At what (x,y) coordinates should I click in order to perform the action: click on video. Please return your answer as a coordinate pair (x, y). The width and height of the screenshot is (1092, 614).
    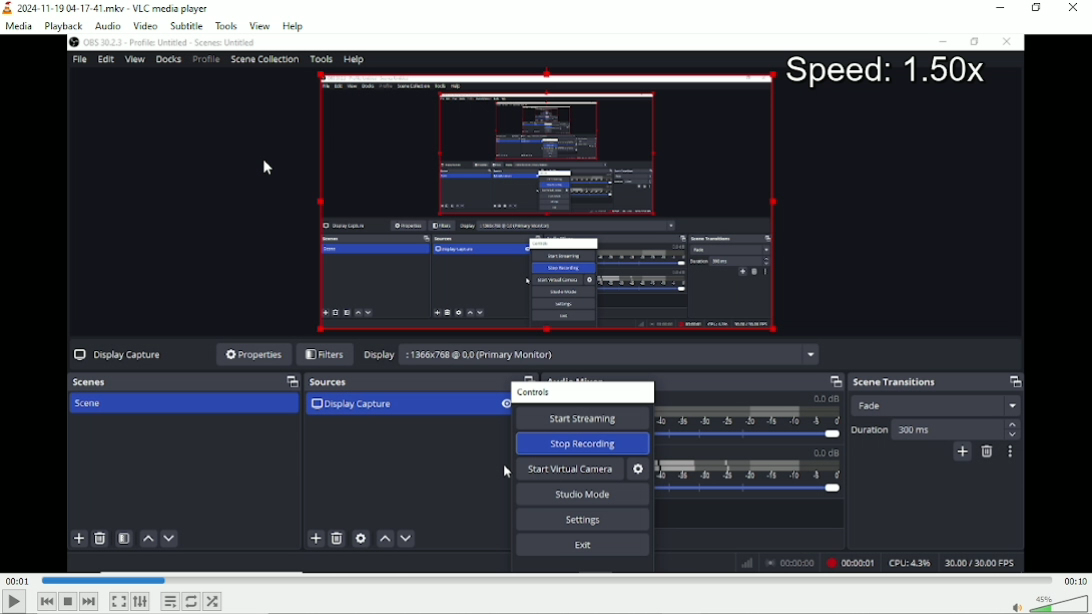
    Looking at the image, I should click on (144, 25).